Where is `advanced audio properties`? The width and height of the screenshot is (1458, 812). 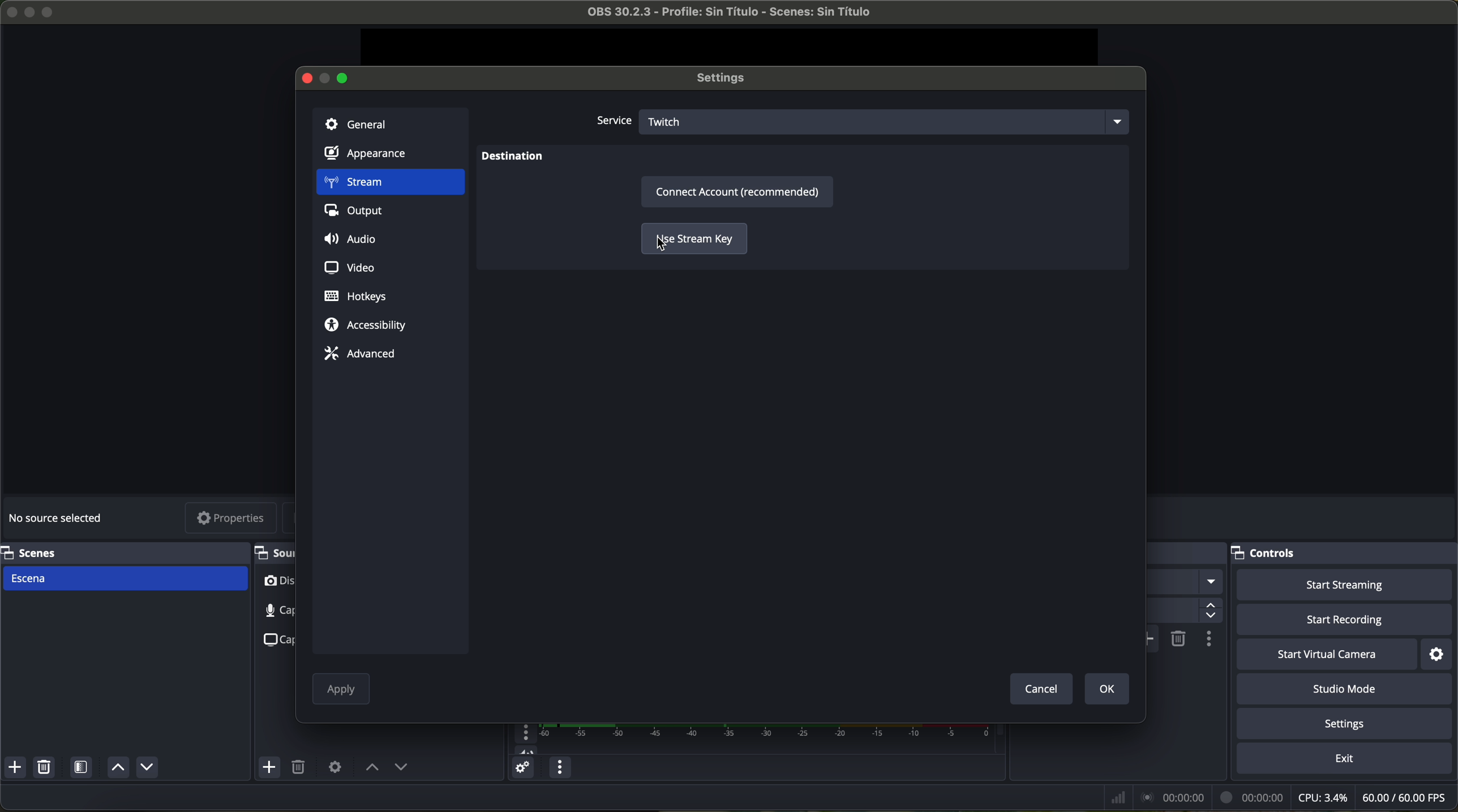
advanced audio properties is located at coordinates (522, 770).